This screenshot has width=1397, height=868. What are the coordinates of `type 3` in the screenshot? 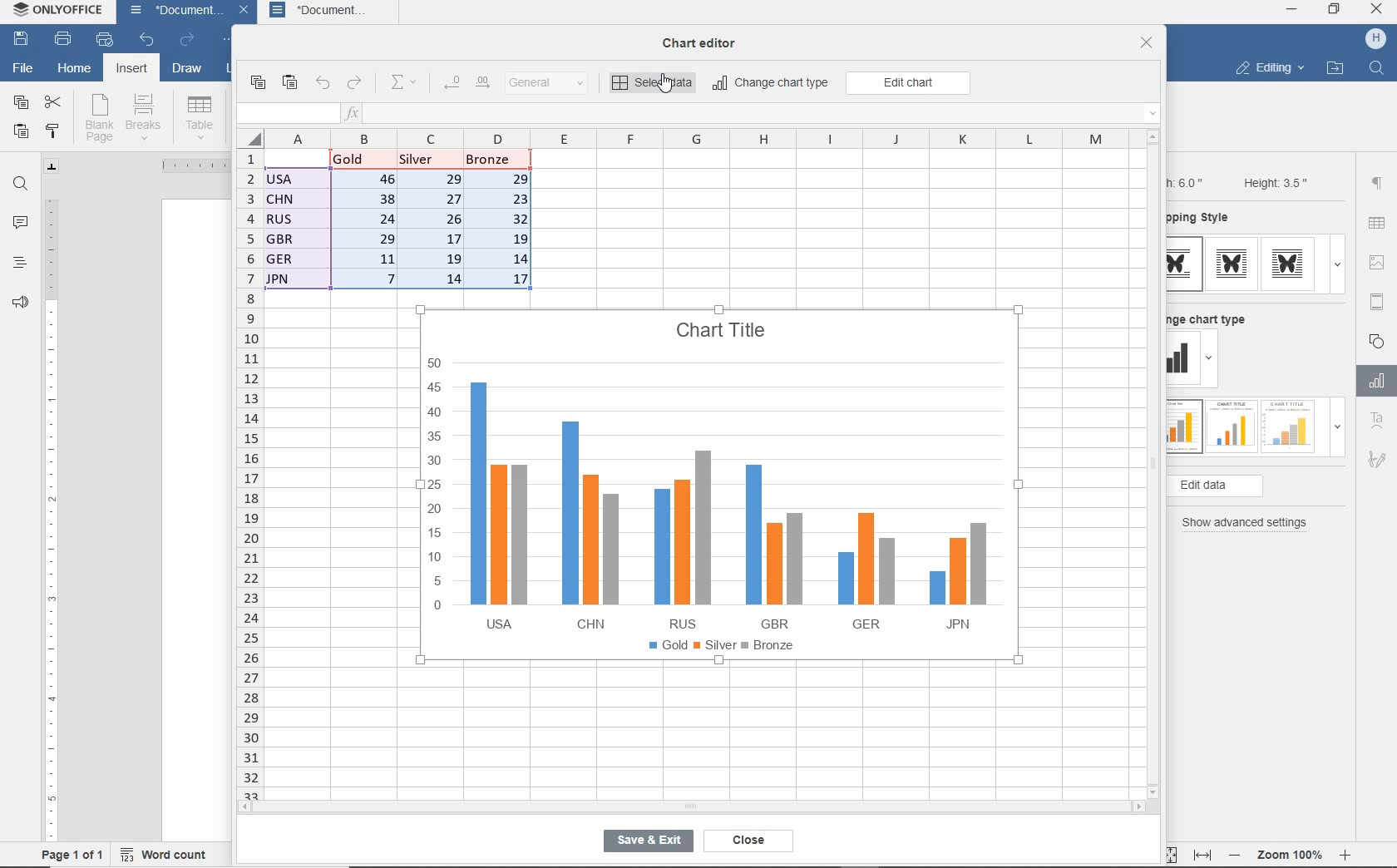 It's located at (1289, 425).